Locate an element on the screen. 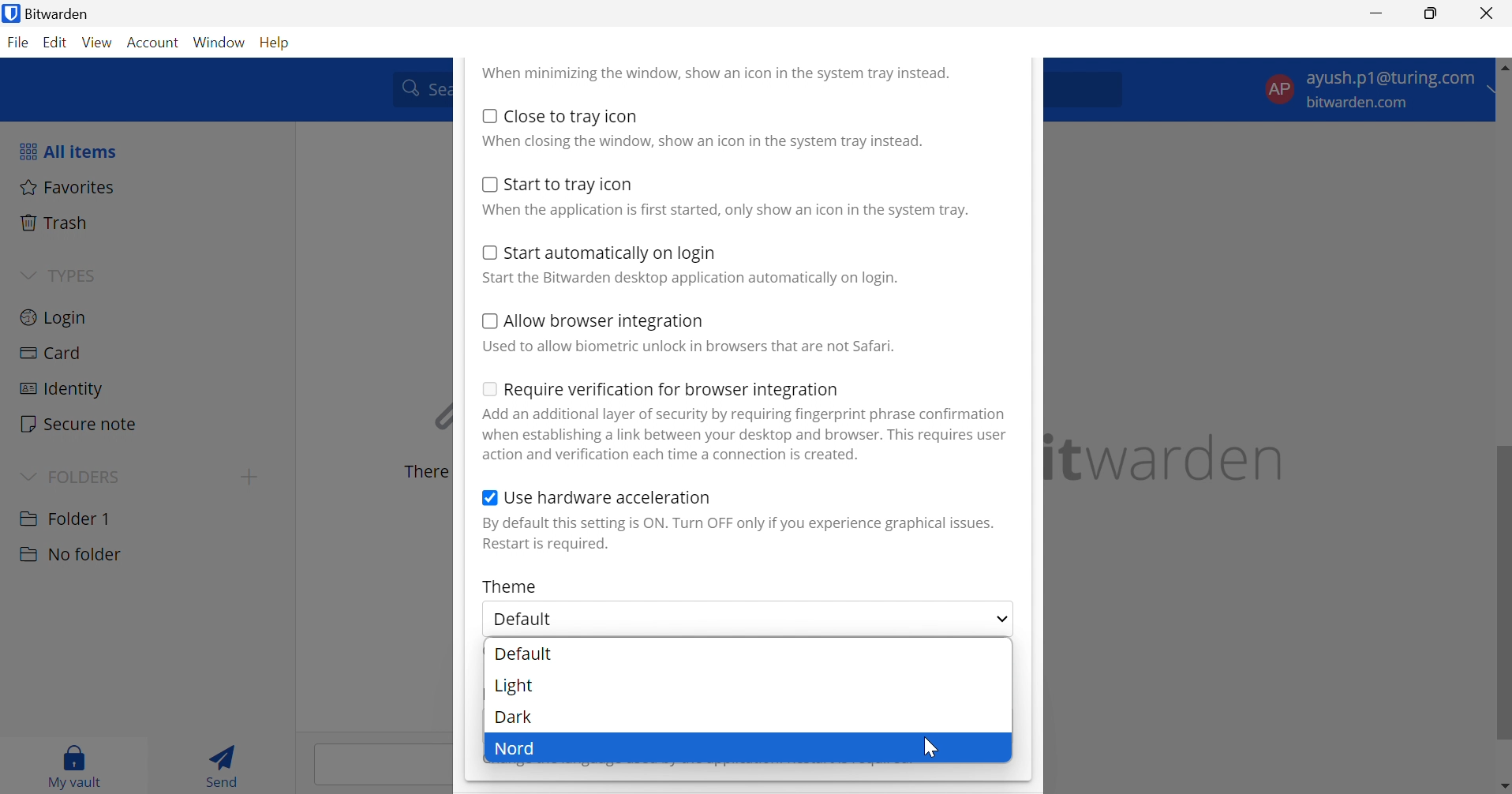  Require verification for browser intgretion is located at coordinates (672, 391).